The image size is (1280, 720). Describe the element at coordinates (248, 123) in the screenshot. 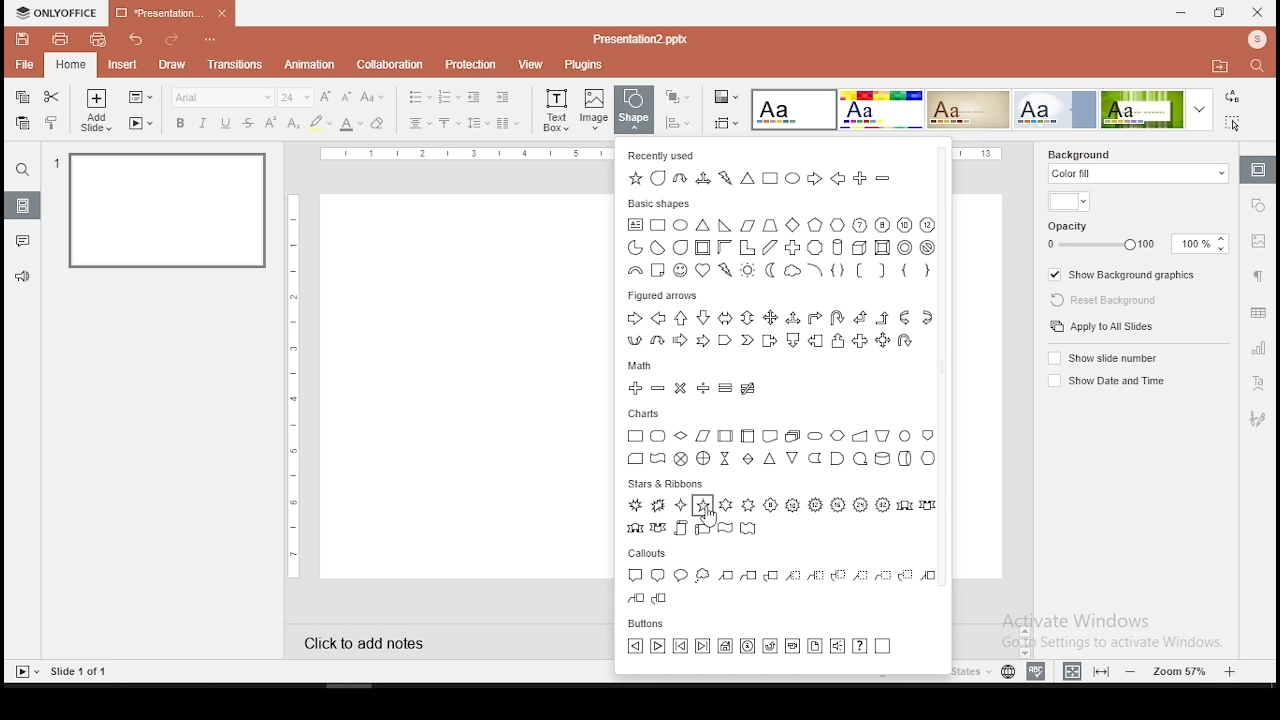

I see `strikethrough` at that location.